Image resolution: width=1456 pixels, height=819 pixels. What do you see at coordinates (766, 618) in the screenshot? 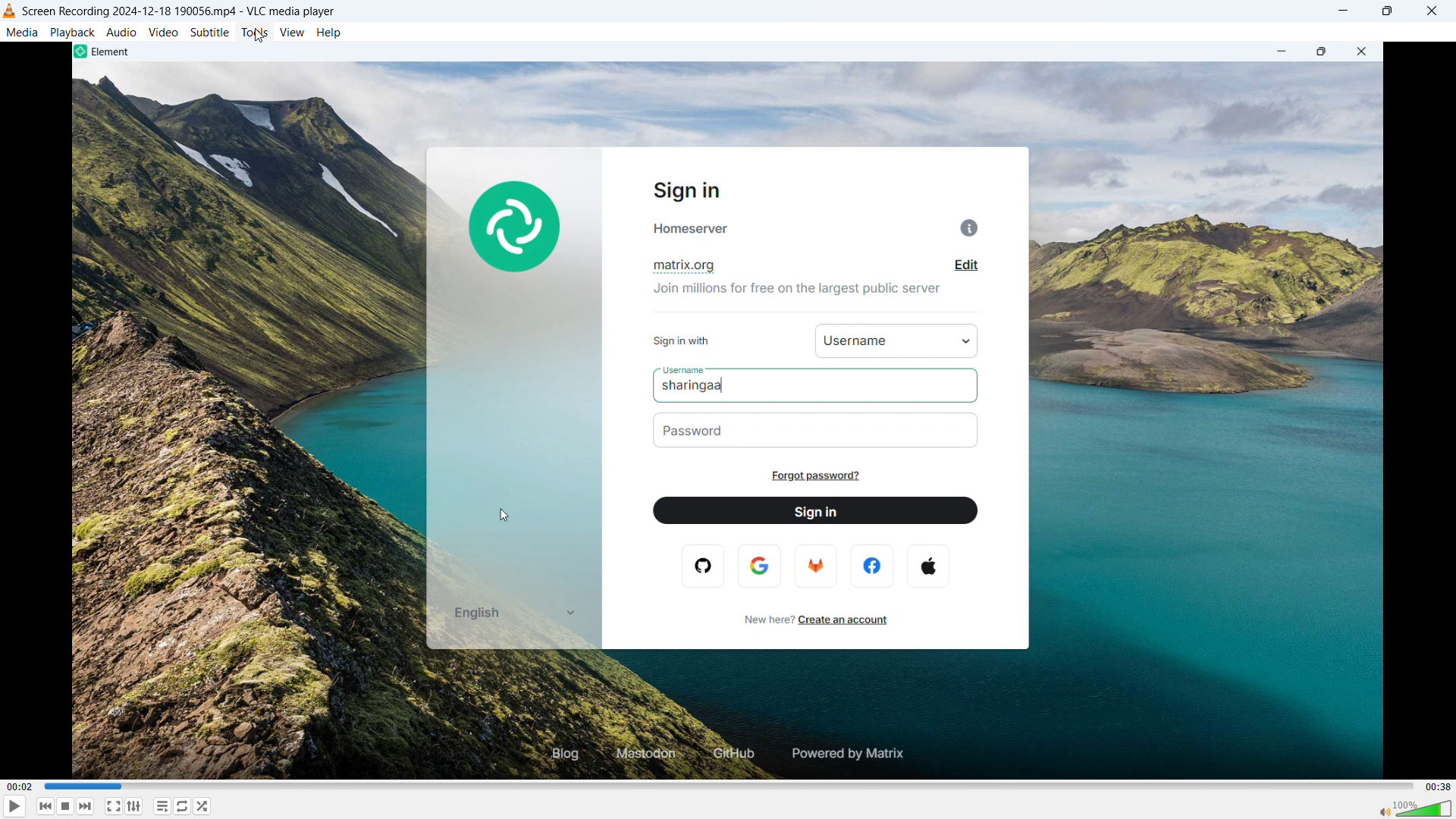
I see `new here?` at bounding box center [766, 618].